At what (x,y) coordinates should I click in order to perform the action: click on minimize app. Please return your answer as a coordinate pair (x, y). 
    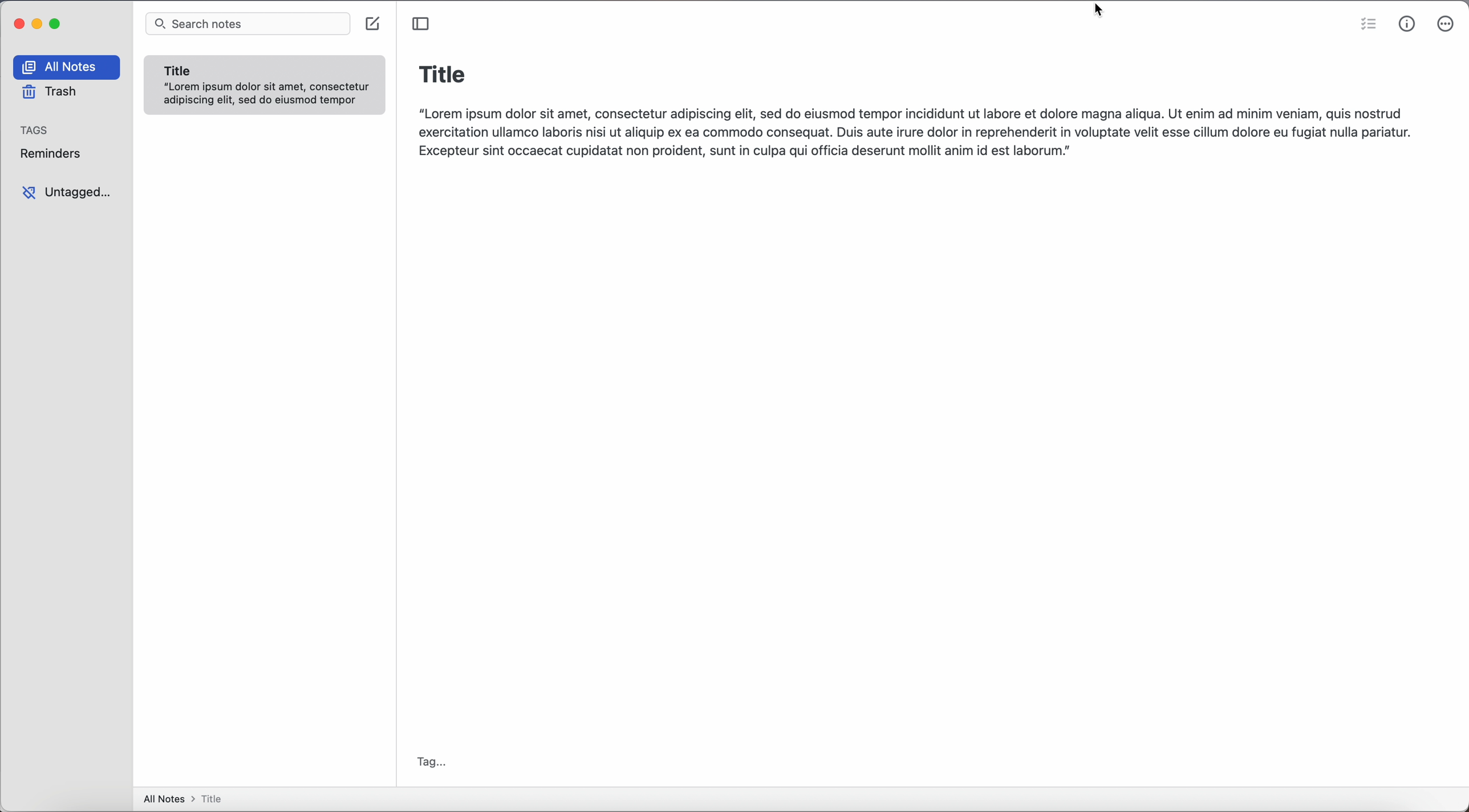
    Looking at the image, I should click on (38, 24).